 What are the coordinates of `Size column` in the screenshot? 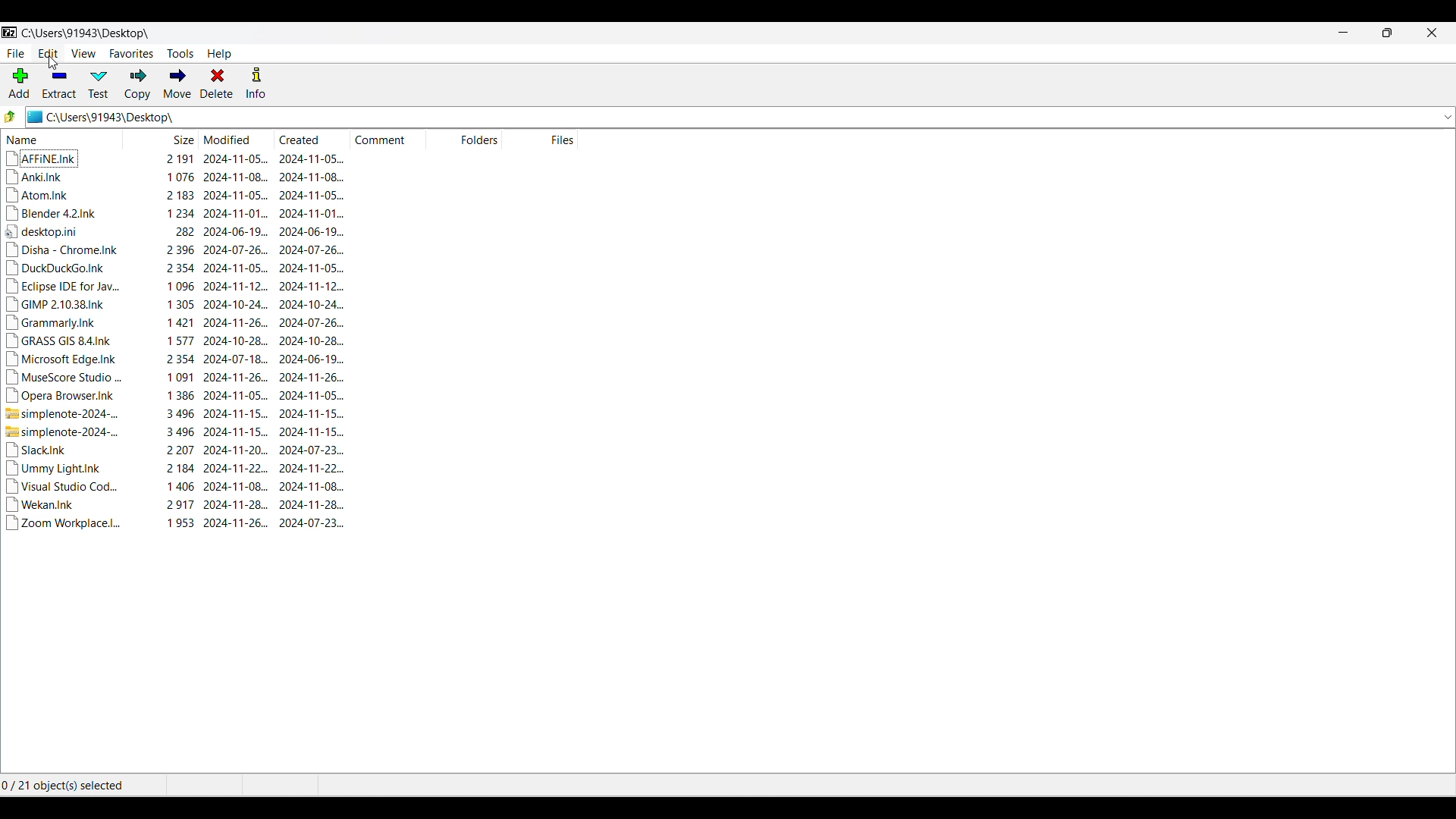 It's located at (159, 138).